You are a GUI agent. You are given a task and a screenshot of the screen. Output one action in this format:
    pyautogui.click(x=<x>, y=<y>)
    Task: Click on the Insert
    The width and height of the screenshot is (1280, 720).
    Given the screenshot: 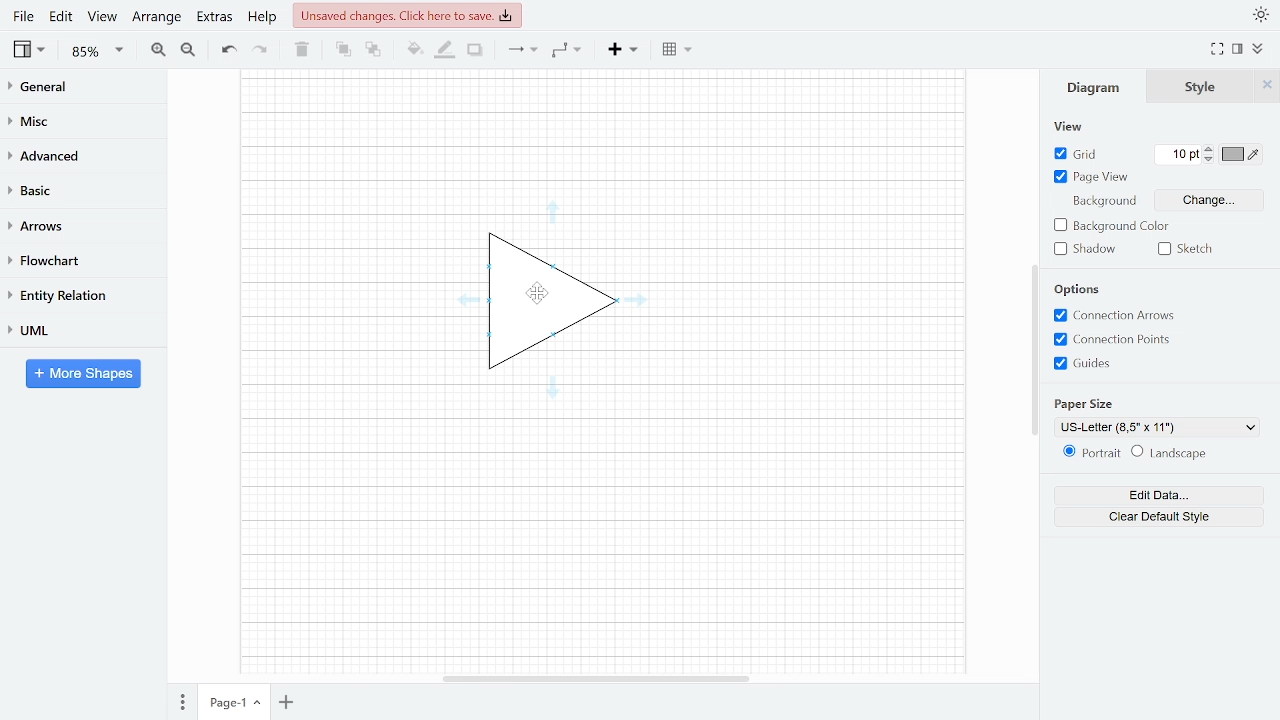 What is the action you would take?
    pyautogui.click(x=623, y=48)
    